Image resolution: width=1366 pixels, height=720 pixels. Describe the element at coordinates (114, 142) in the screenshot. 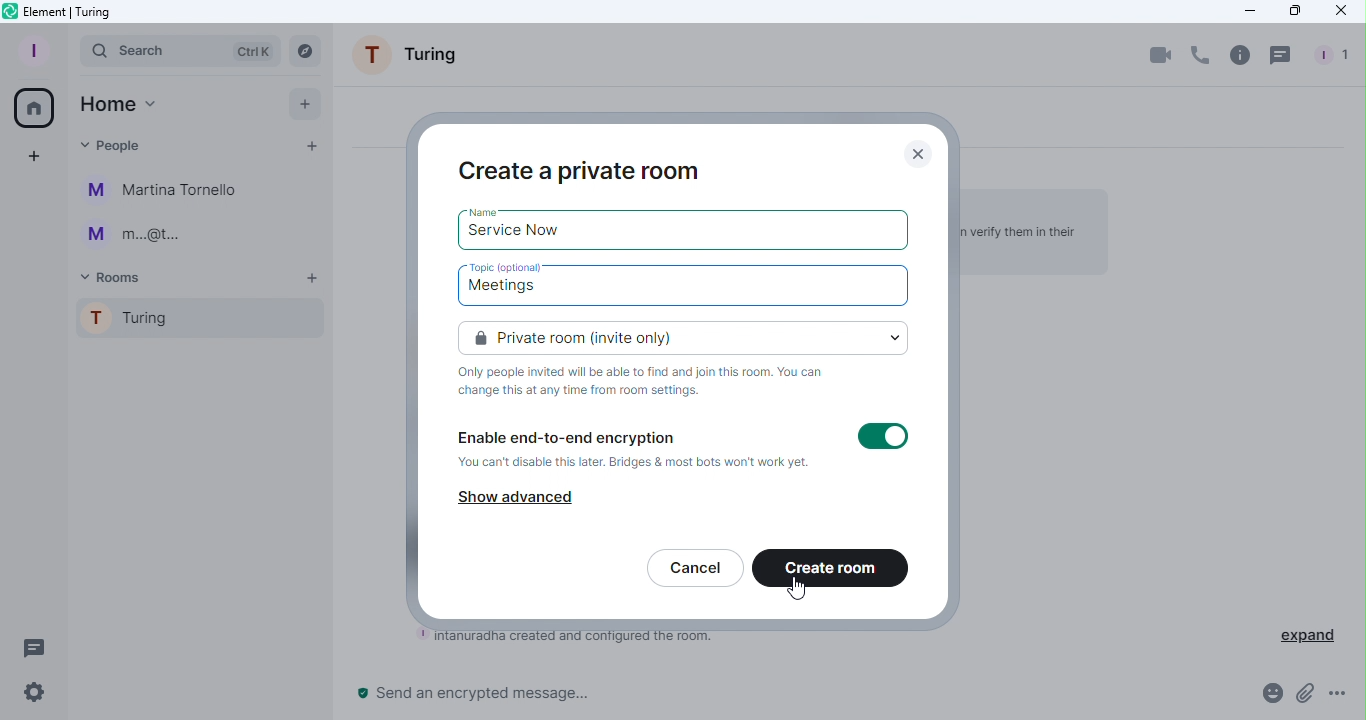

I see `People` at that location.